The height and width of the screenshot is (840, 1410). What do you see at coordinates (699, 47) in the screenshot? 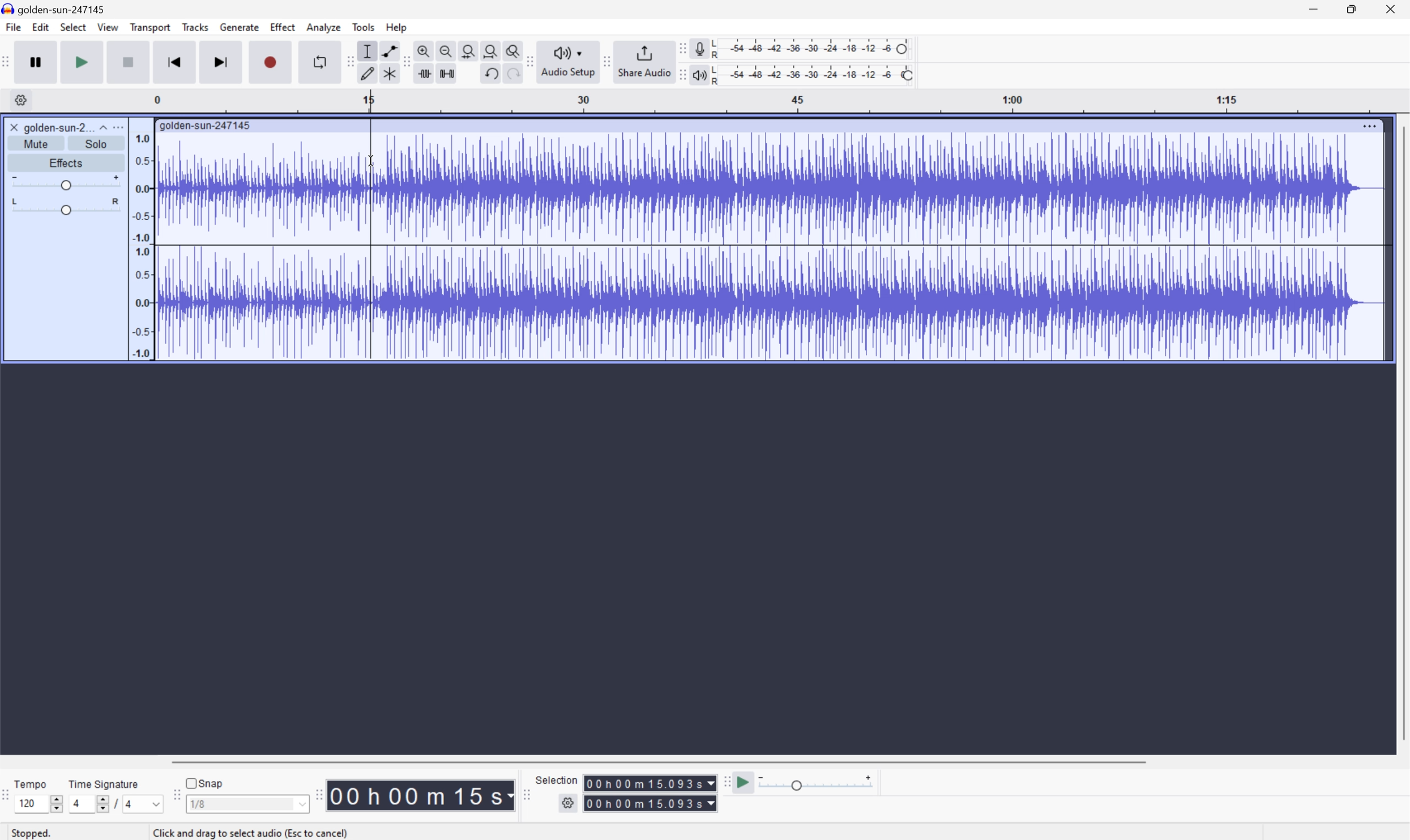
I see `Record Meter ` at bounding box center [699, 47].